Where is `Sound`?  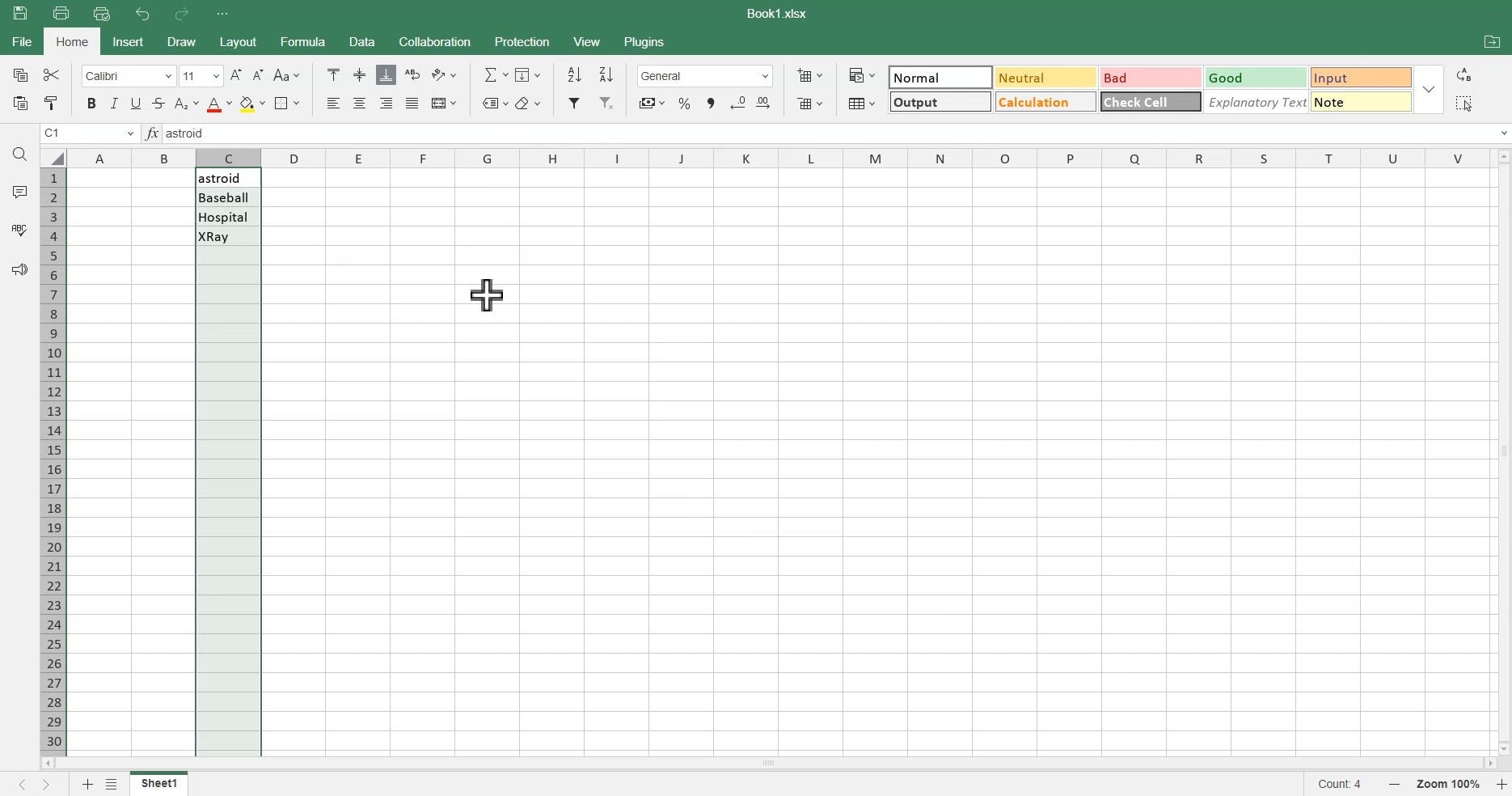
Sound is located at coordinates (19, 269).